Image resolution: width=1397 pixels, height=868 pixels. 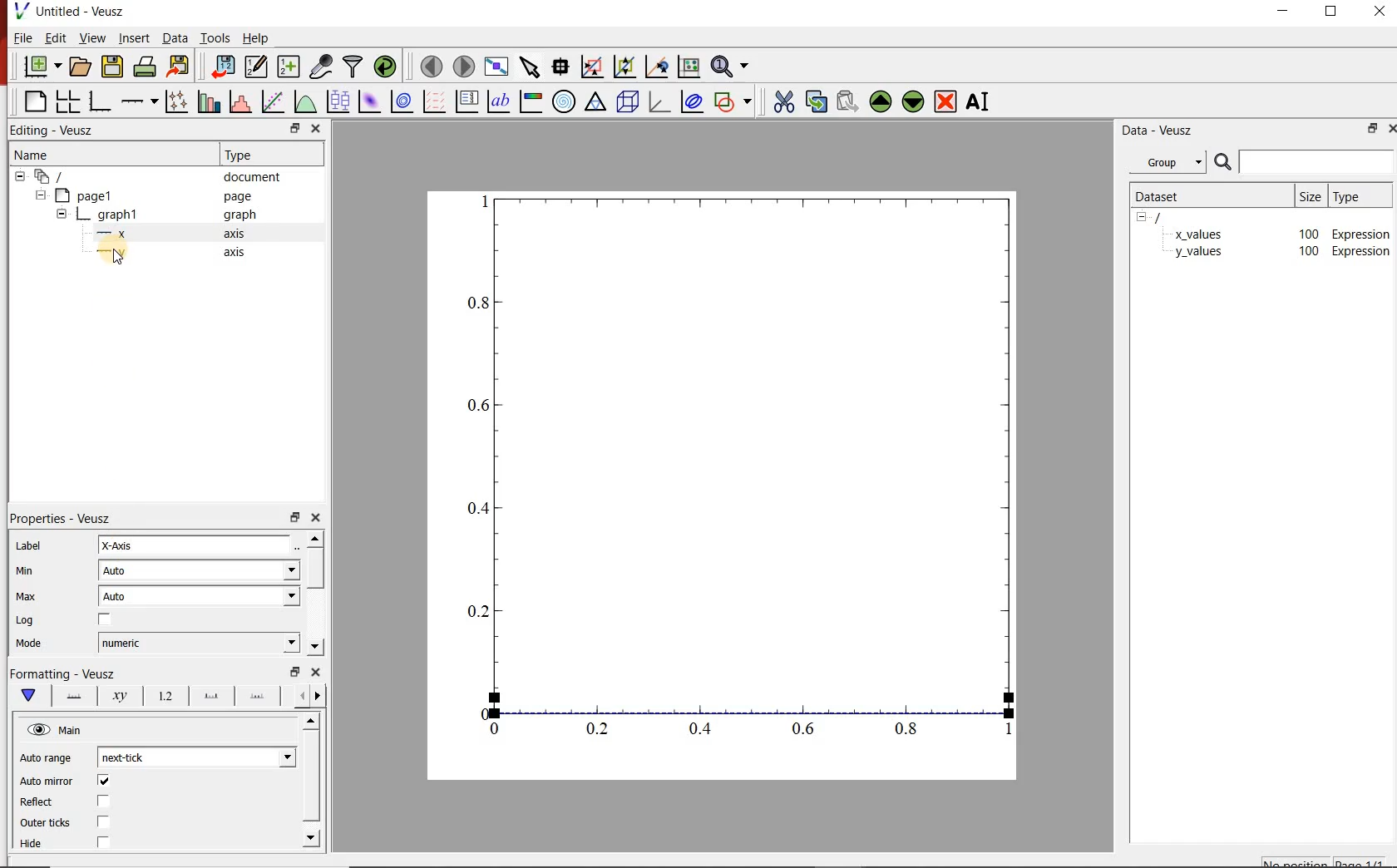 I want to click on hide view, so click(x=57, y=728).